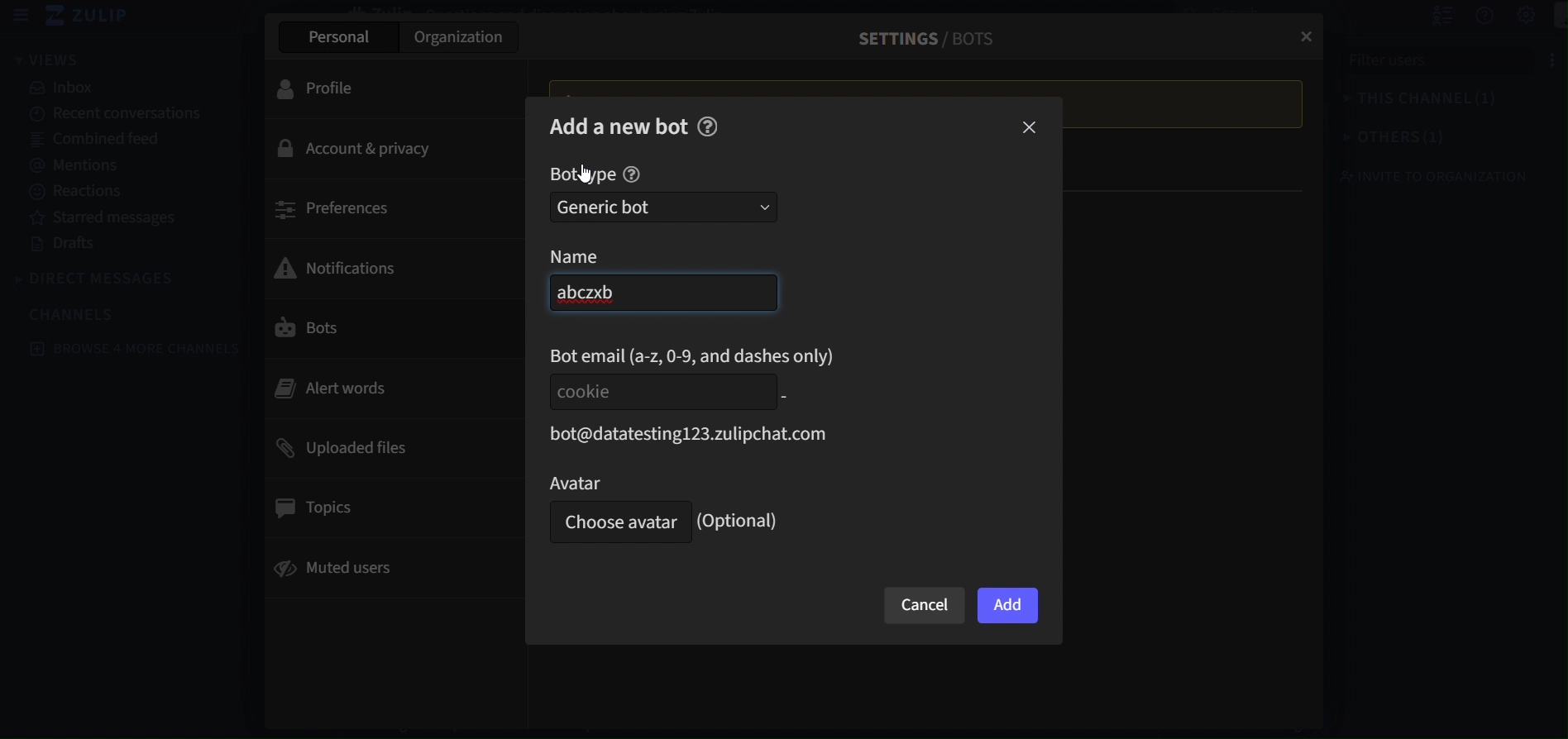  I want to click on channels, so click(83, 313).